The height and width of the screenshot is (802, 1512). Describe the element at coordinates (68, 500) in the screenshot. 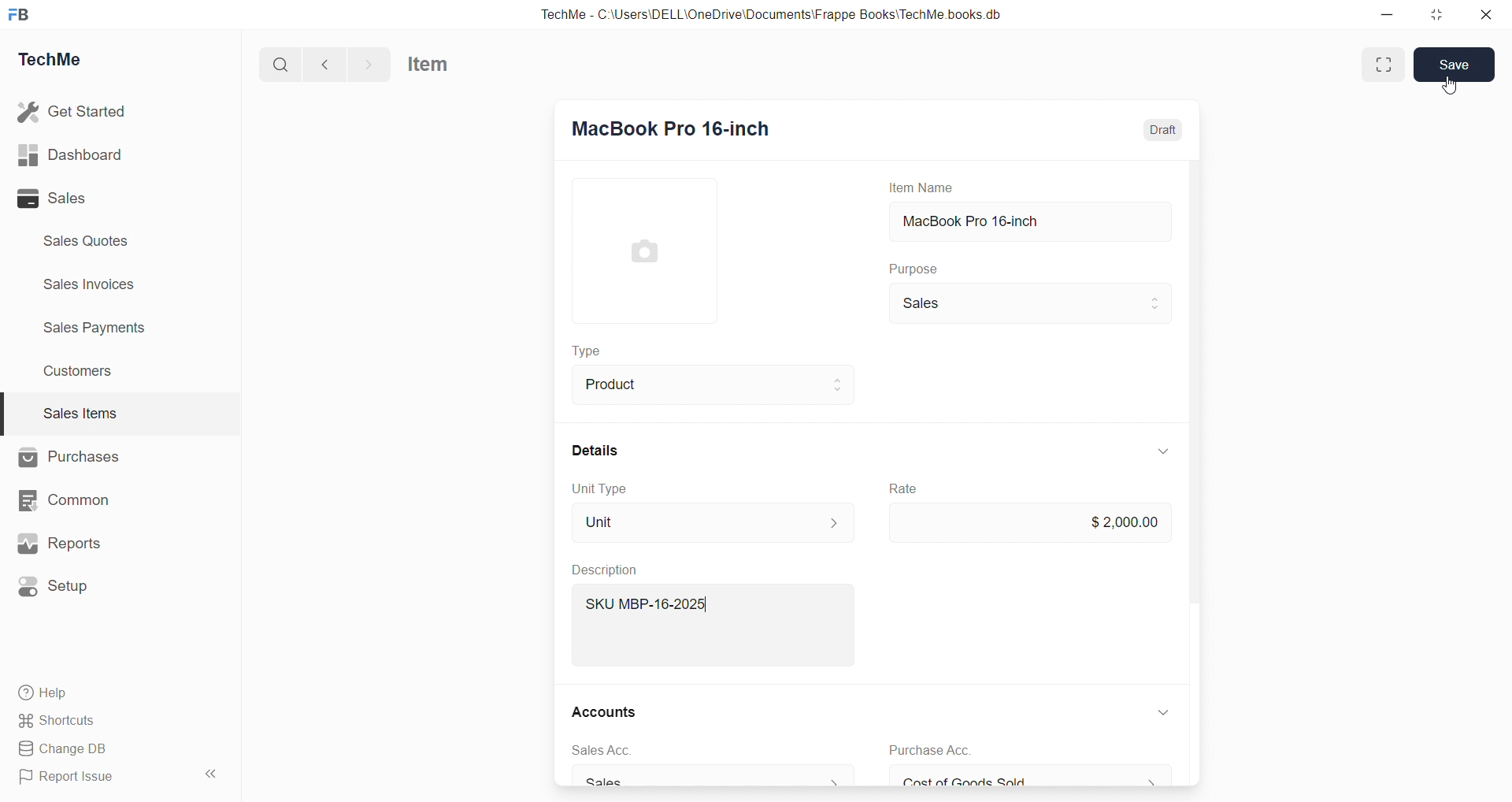

I see `Common` at that location.